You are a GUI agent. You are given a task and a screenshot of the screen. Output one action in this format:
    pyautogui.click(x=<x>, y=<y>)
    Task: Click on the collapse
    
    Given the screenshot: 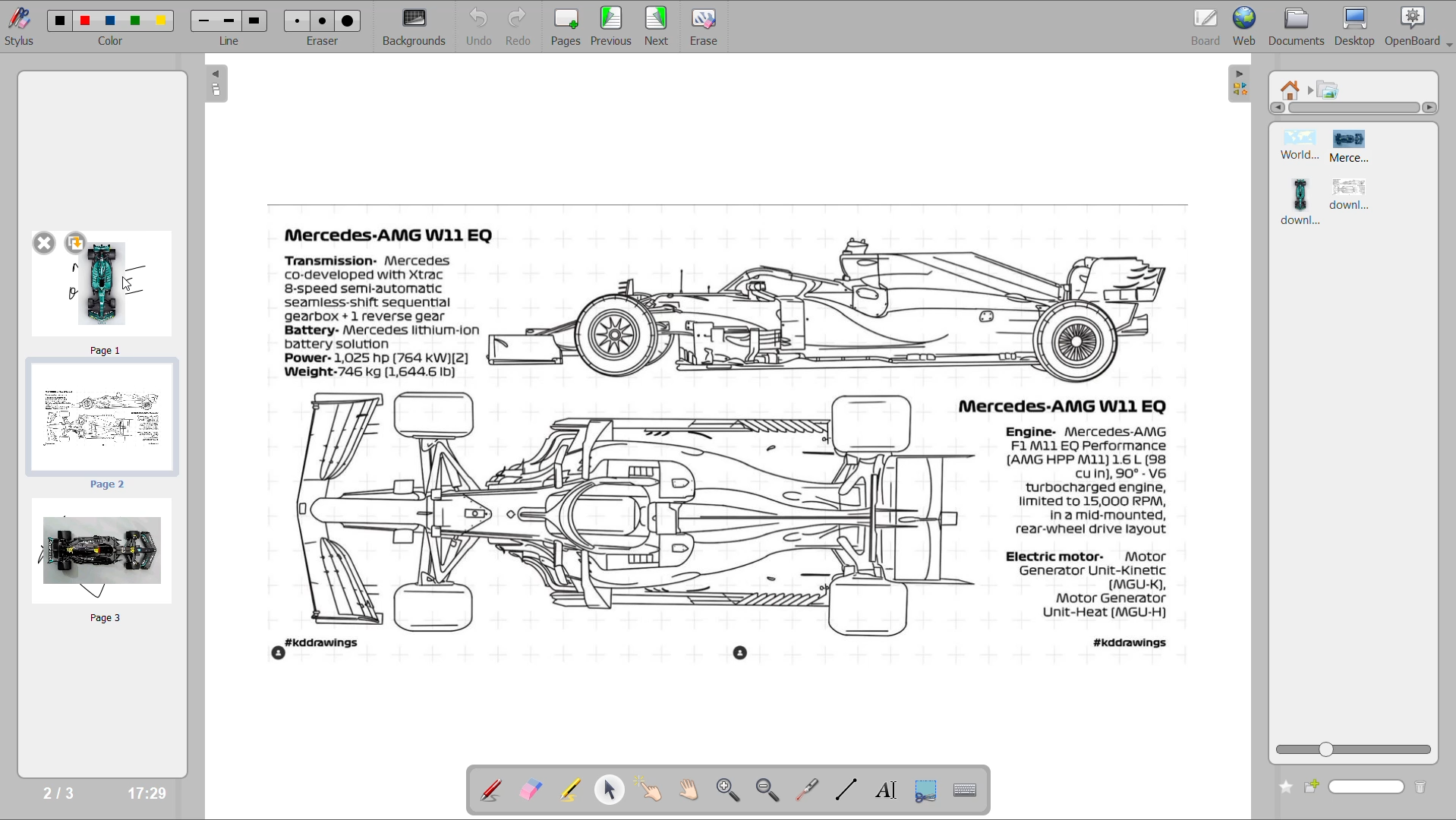 What is the action you would take?
    pyautogui.click(x=1237, y=85)
    